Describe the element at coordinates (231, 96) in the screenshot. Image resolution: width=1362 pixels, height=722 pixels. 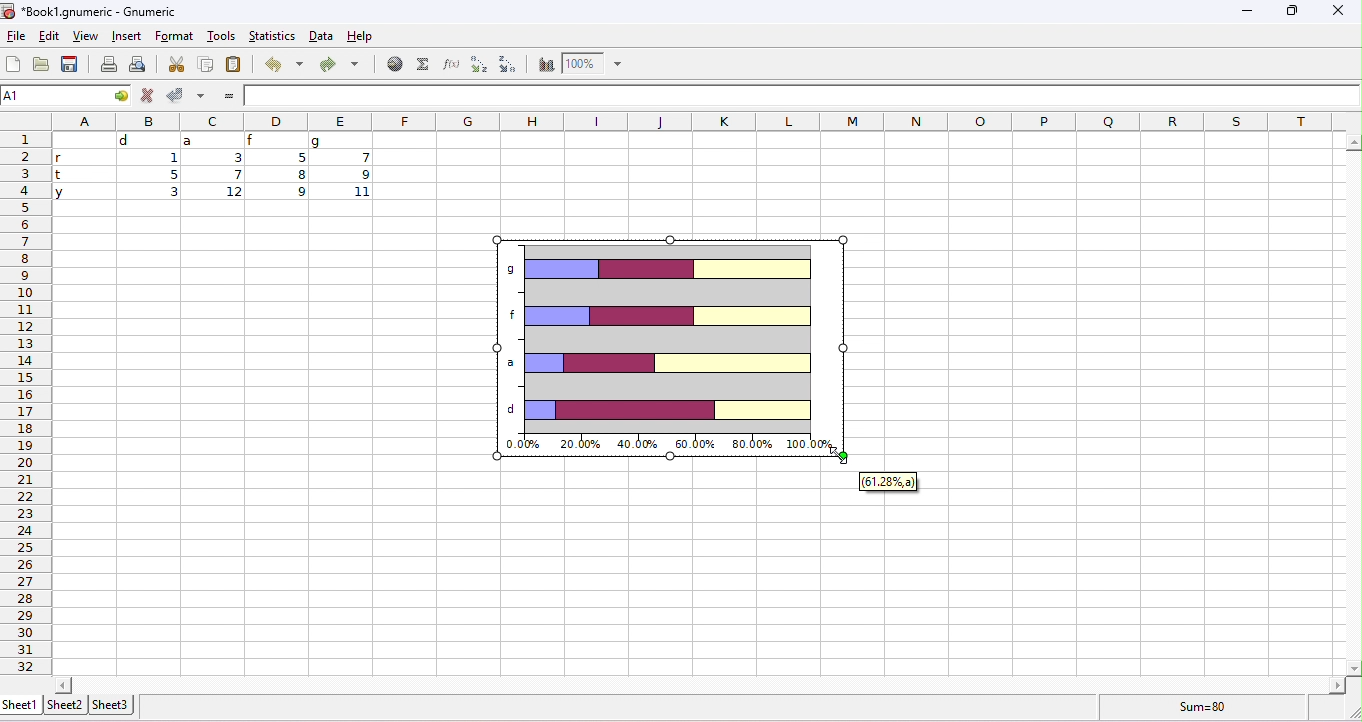
I see `=` at that location.